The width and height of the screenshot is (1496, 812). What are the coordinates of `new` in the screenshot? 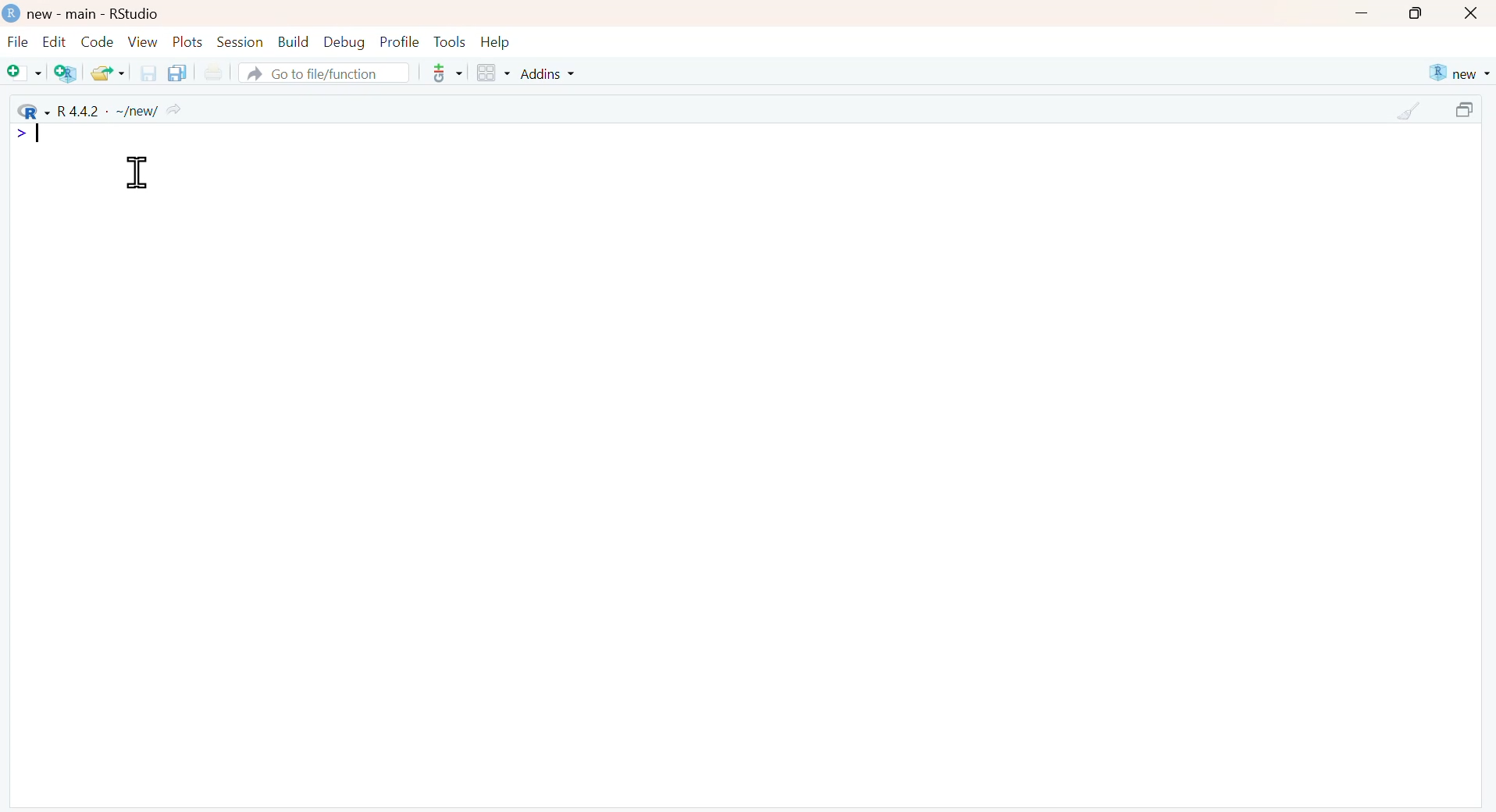 It's located at (1458, 73).